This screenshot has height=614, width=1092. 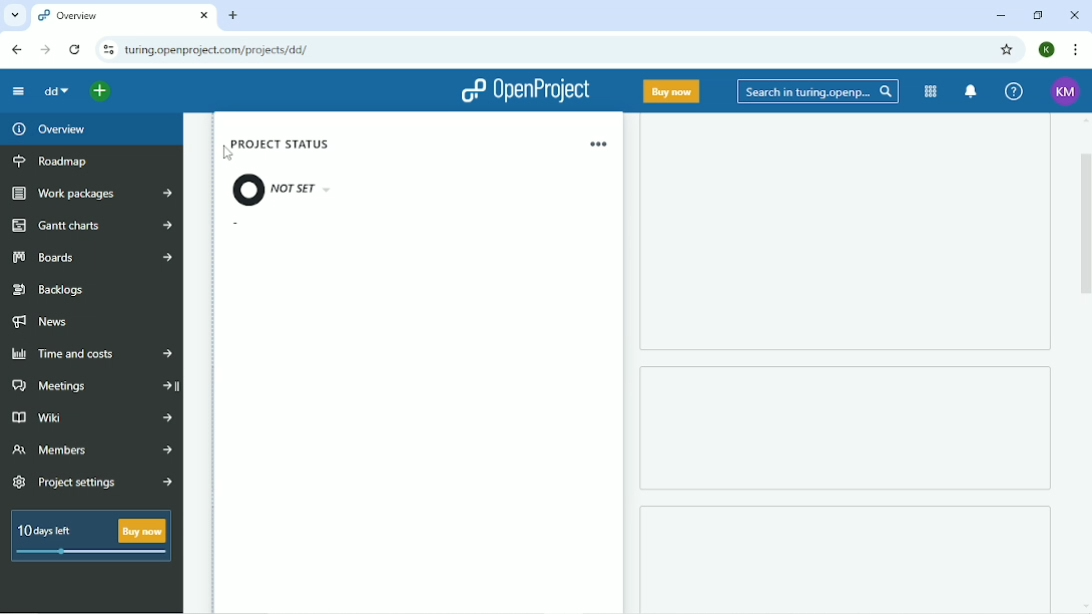 I want to click on Account, so click(x=1048, y=50).